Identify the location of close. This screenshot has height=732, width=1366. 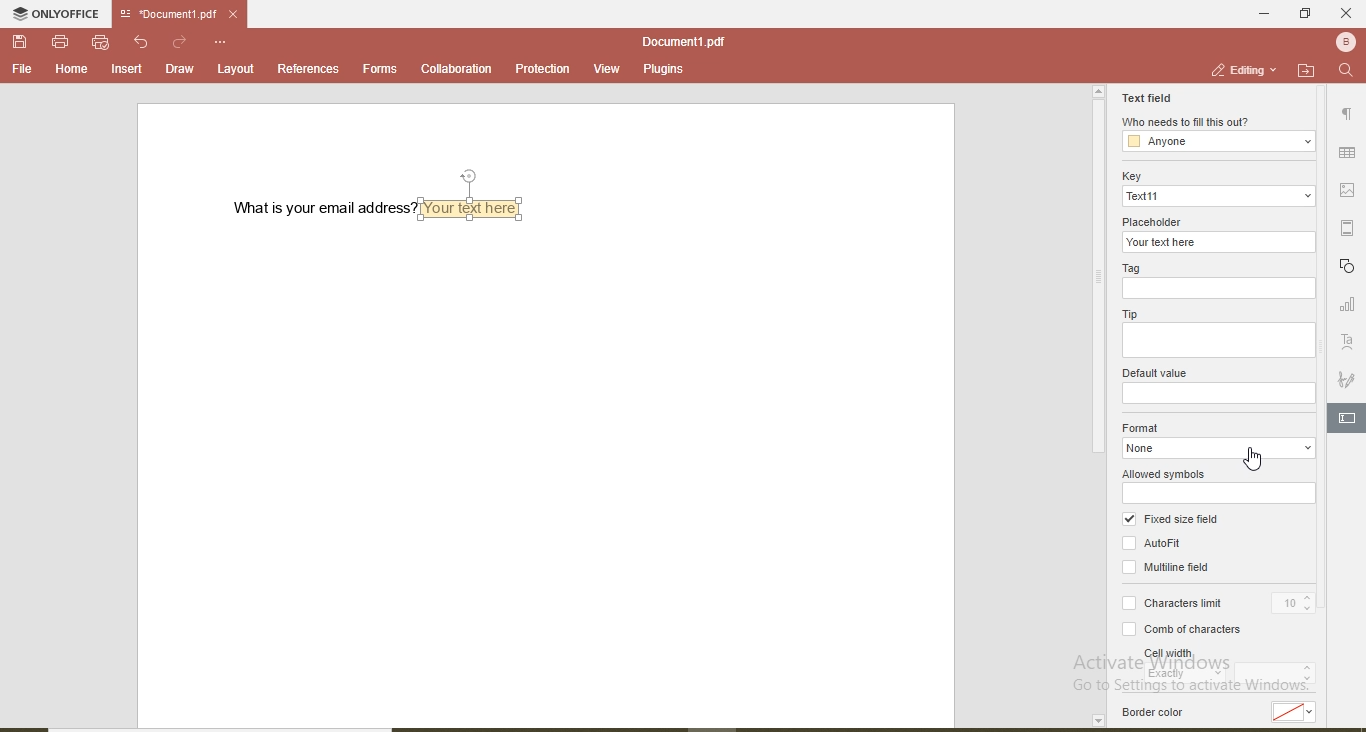
(1346, 13).